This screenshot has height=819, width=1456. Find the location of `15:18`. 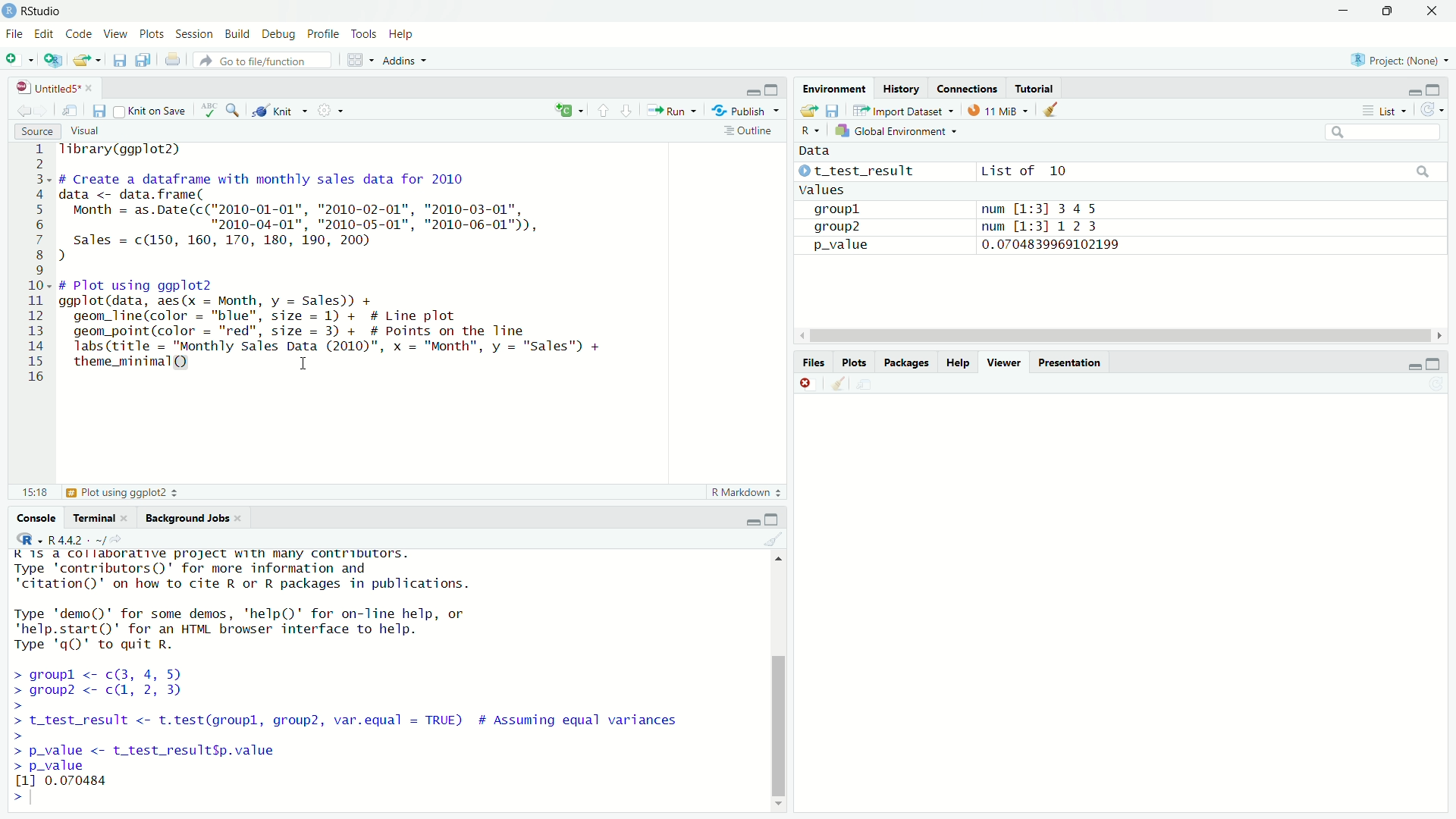

15:18 is located at coordinates (34, 493).